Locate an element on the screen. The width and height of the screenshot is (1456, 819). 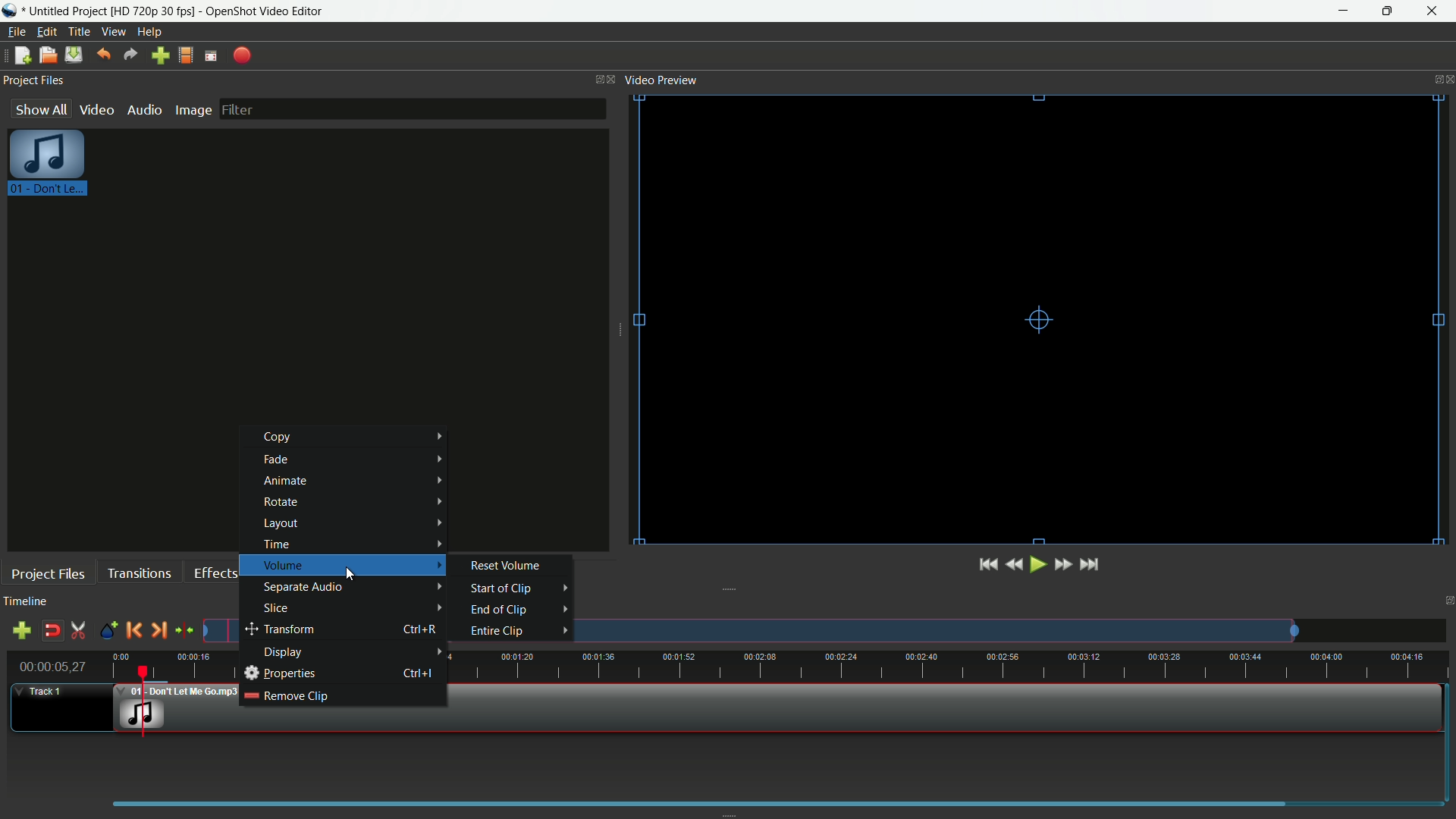
audio is located at coordinates (143, 109).